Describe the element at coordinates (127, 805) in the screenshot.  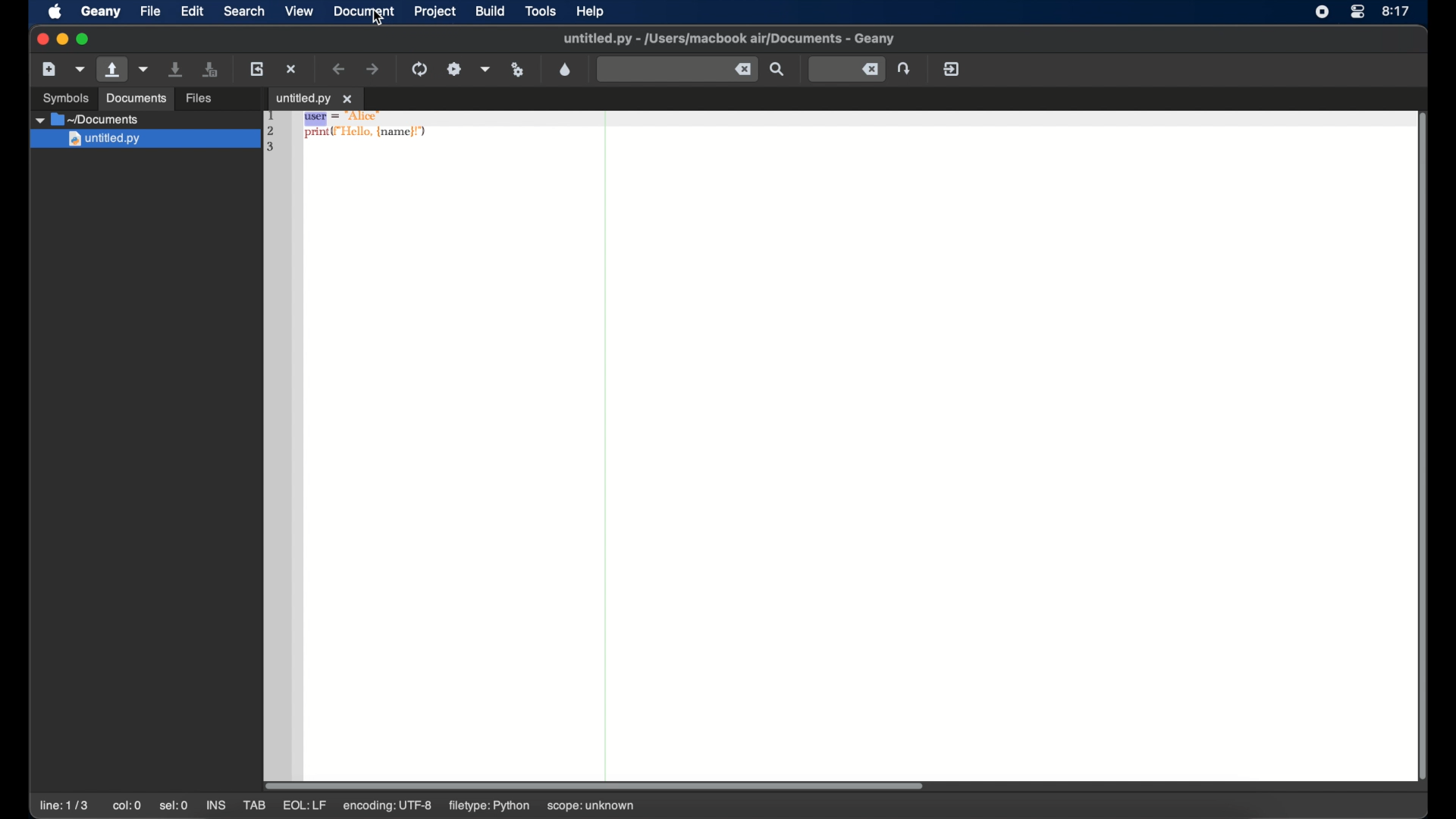
I see `col:0` at that location.